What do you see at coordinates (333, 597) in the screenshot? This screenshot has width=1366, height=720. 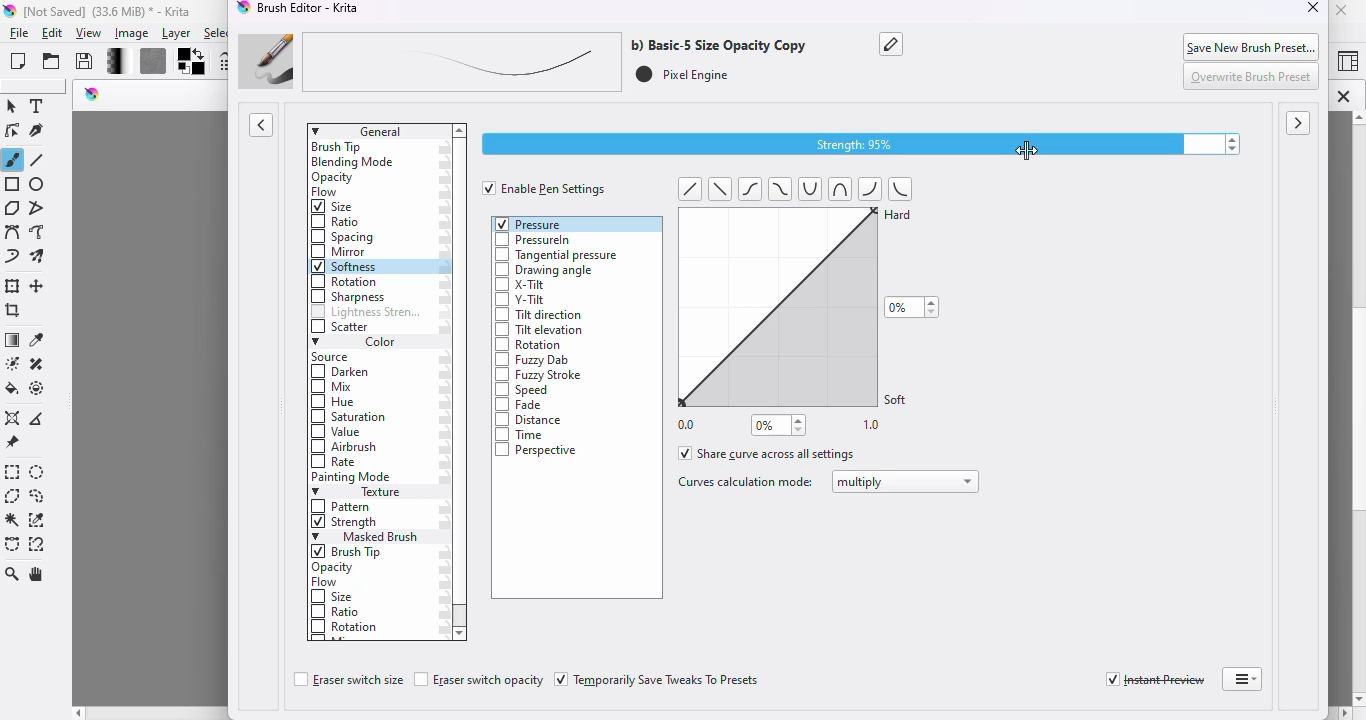 I see `size` at bounding box center [333, 597].